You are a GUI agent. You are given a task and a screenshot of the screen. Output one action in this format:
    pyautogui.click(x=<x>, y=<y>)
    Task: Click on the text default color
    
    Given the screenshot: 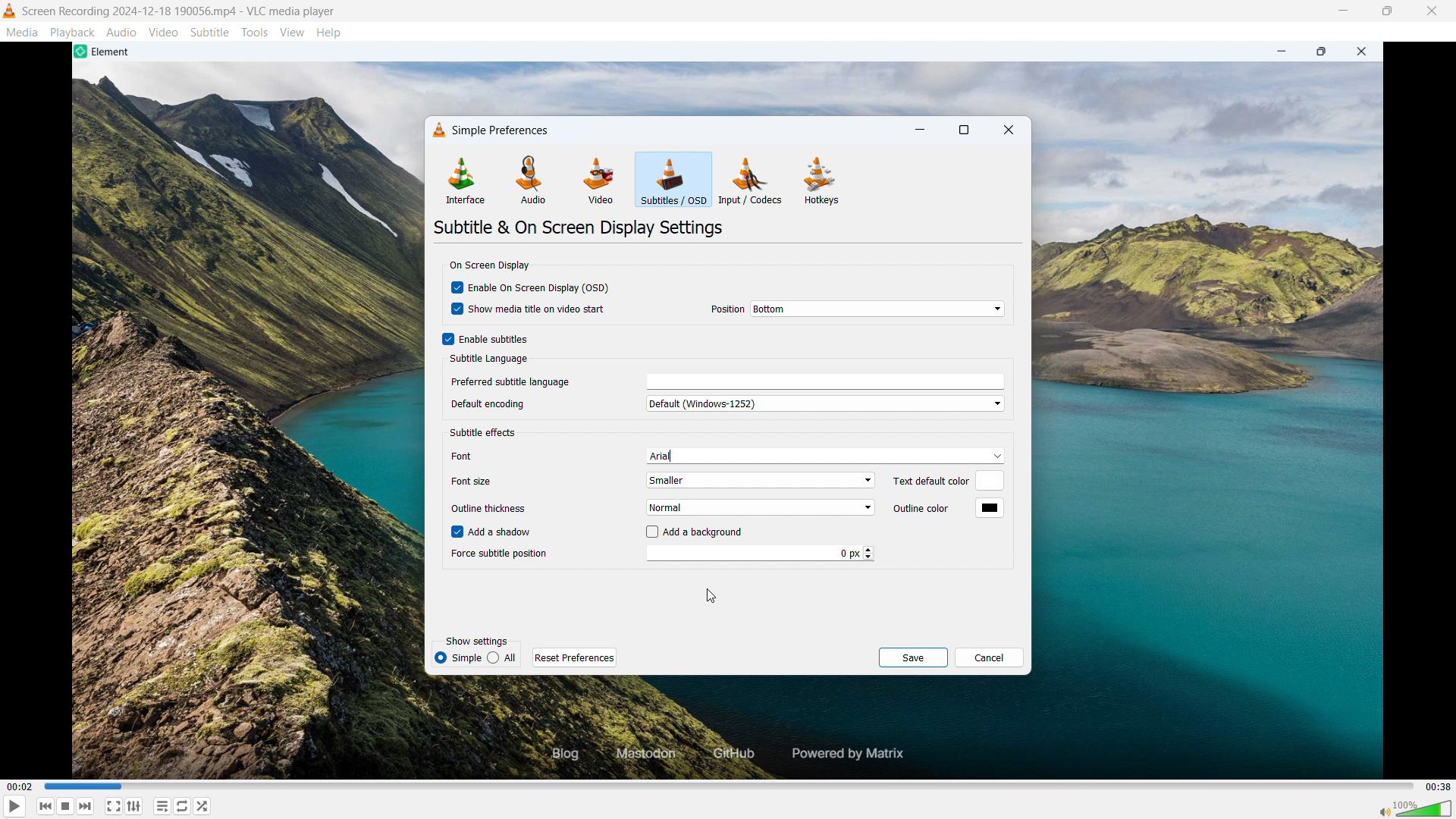 What is the action you would take?
    pyautogui.click(x=991, y=481)
    